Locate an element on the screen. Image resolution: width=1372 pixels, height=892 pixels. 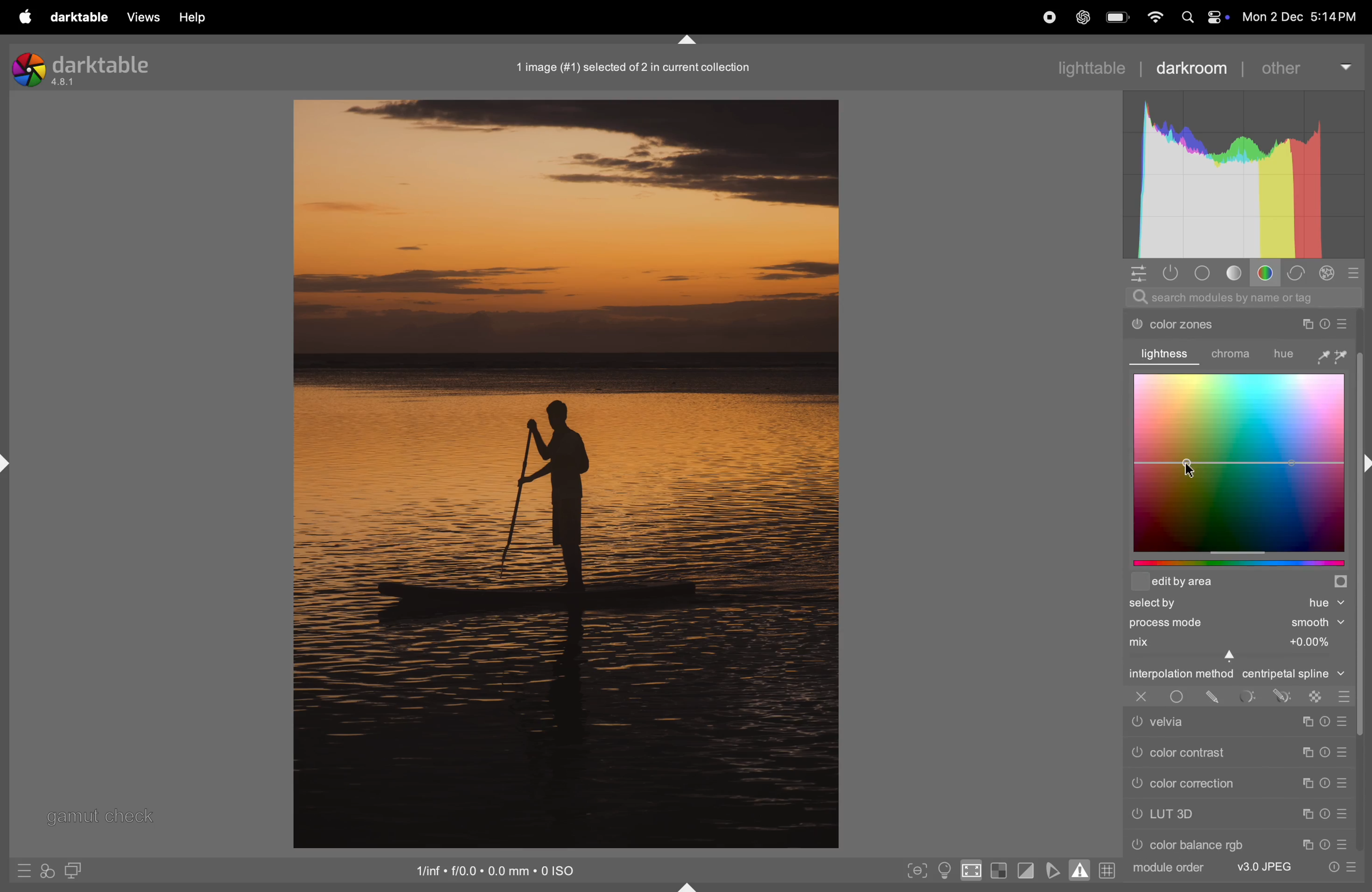
toggle clipping indications is located at coordinates (1028, 871).